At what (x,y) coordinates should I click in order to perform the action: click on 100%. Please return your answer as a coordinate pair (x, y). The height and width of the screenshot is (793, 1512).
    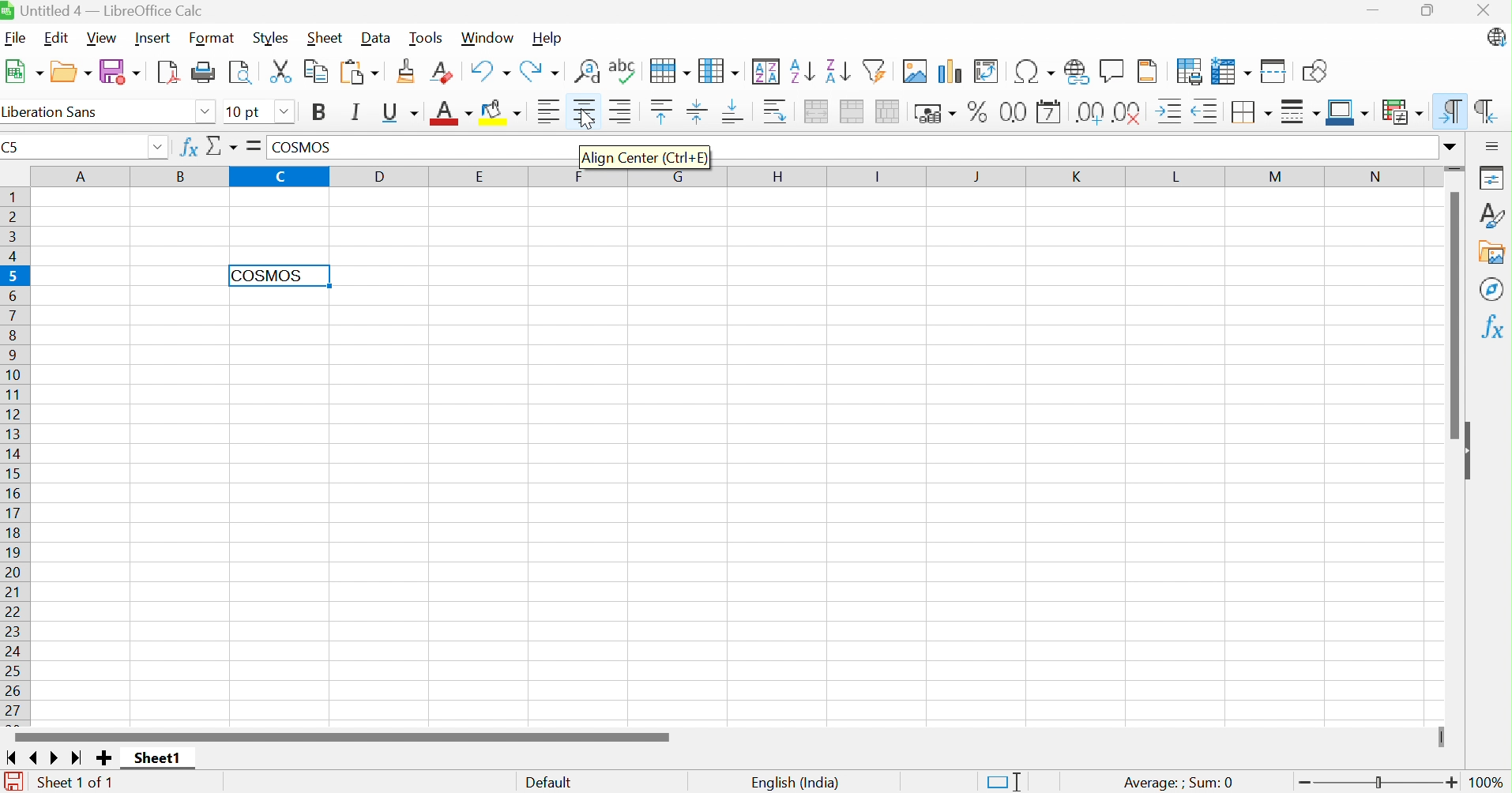
    Looking at the image, I should click on (1489, 783).